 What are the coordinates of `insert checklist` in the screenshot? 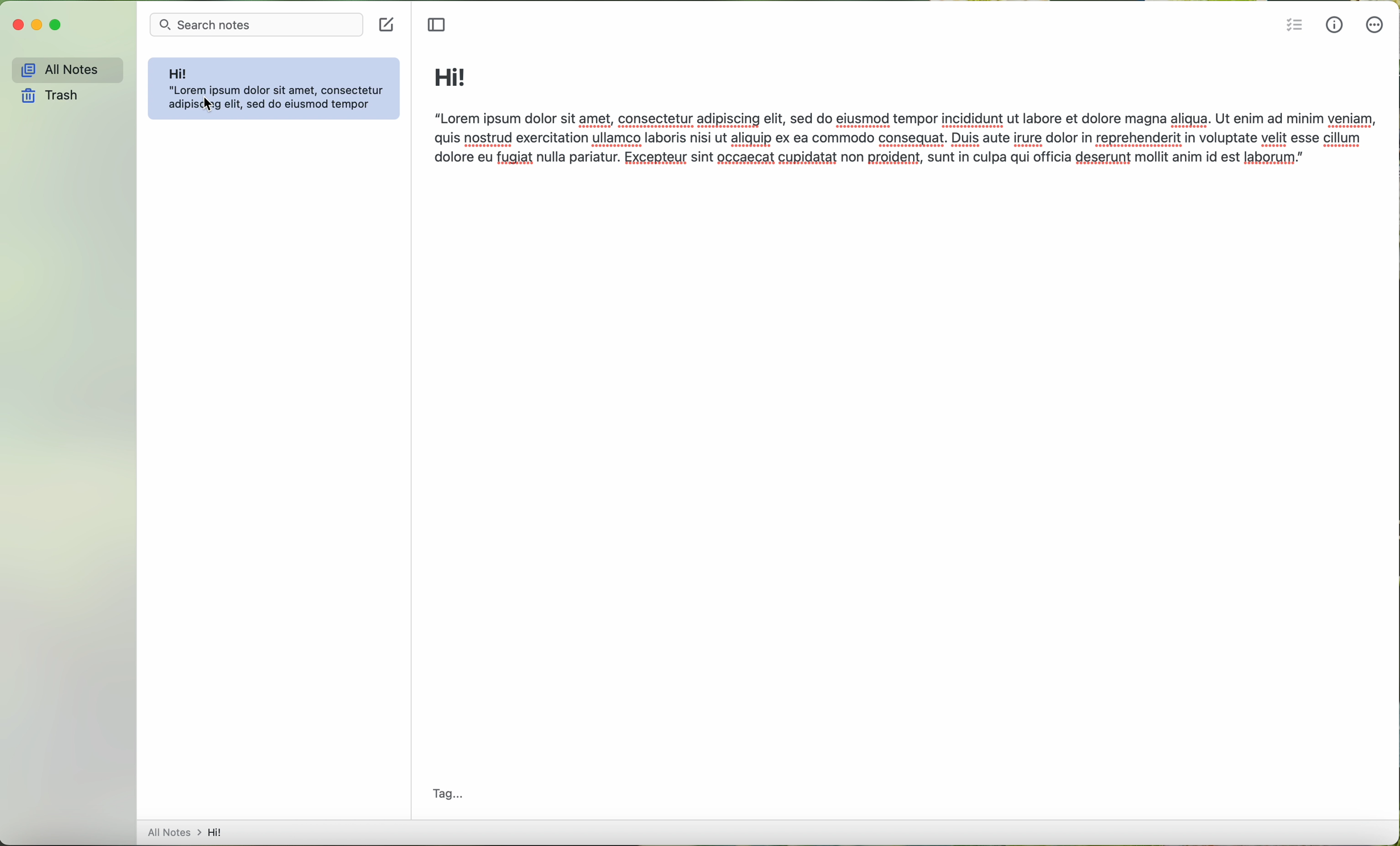 It's located at (1294, 24).